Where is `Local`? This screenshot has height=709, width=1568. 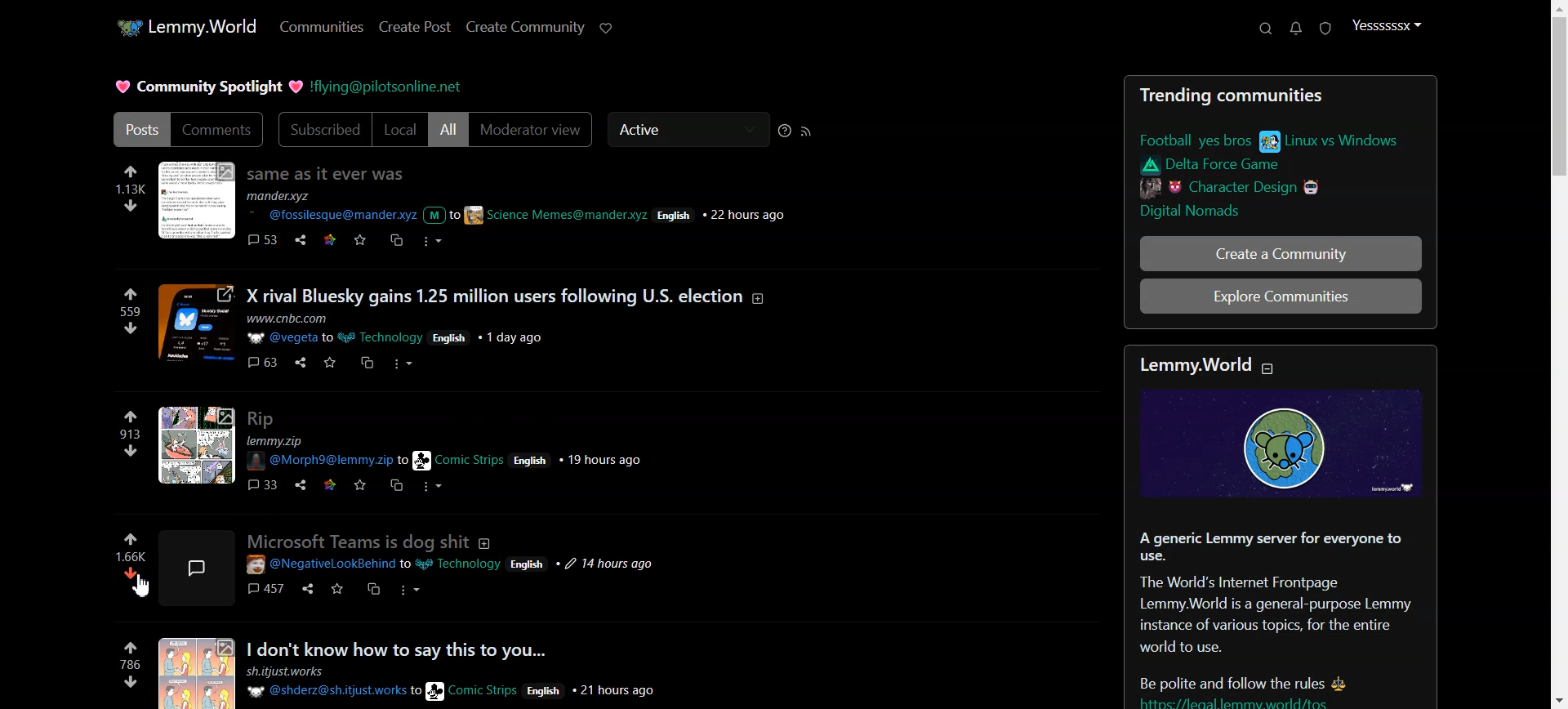 Local is located at coordinates (399, 129).